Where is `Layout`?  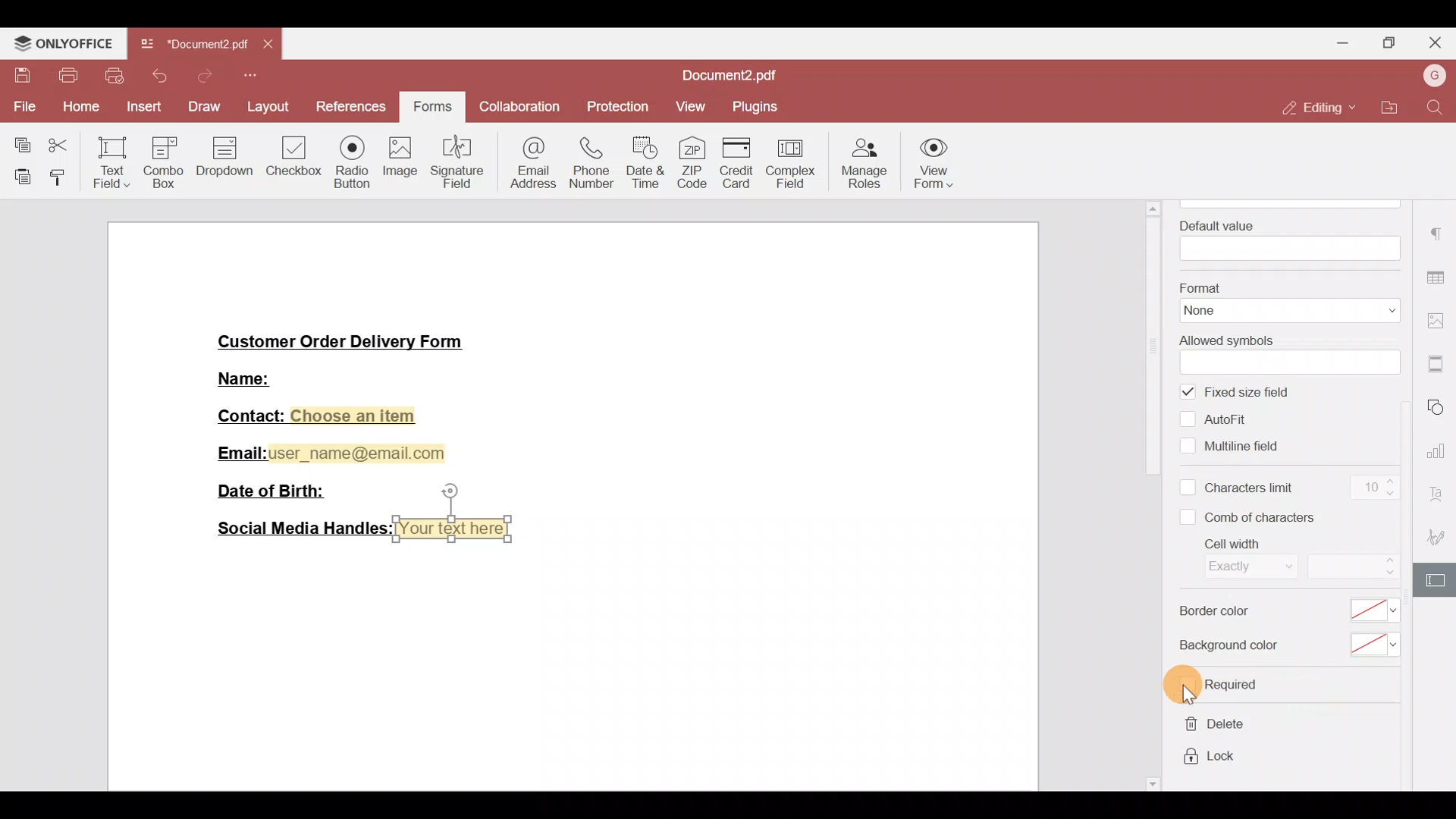 Layout is located at coordinates (266, 105).